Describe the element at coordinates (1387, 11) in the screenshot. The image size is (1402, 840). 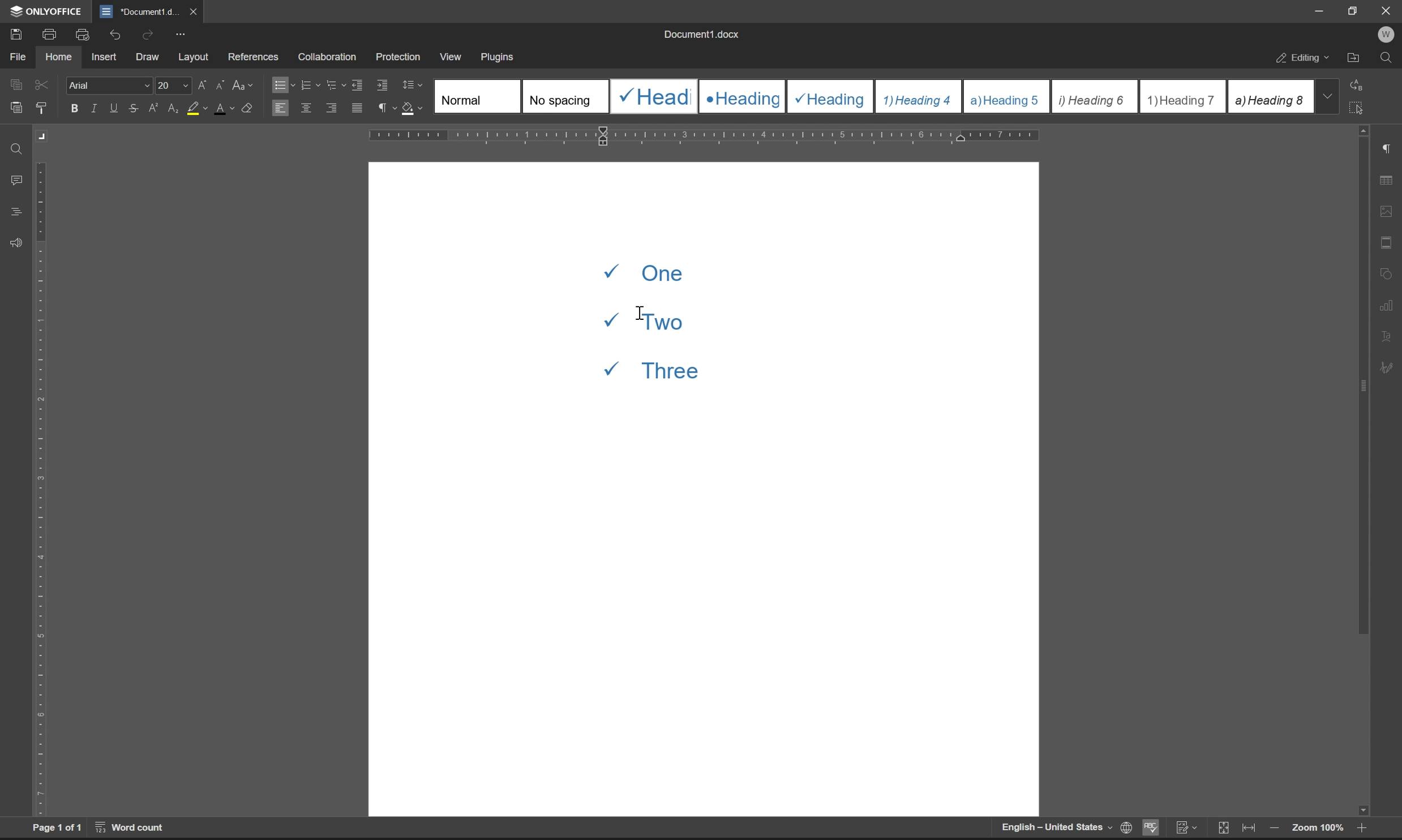
I see `Close` at that location.